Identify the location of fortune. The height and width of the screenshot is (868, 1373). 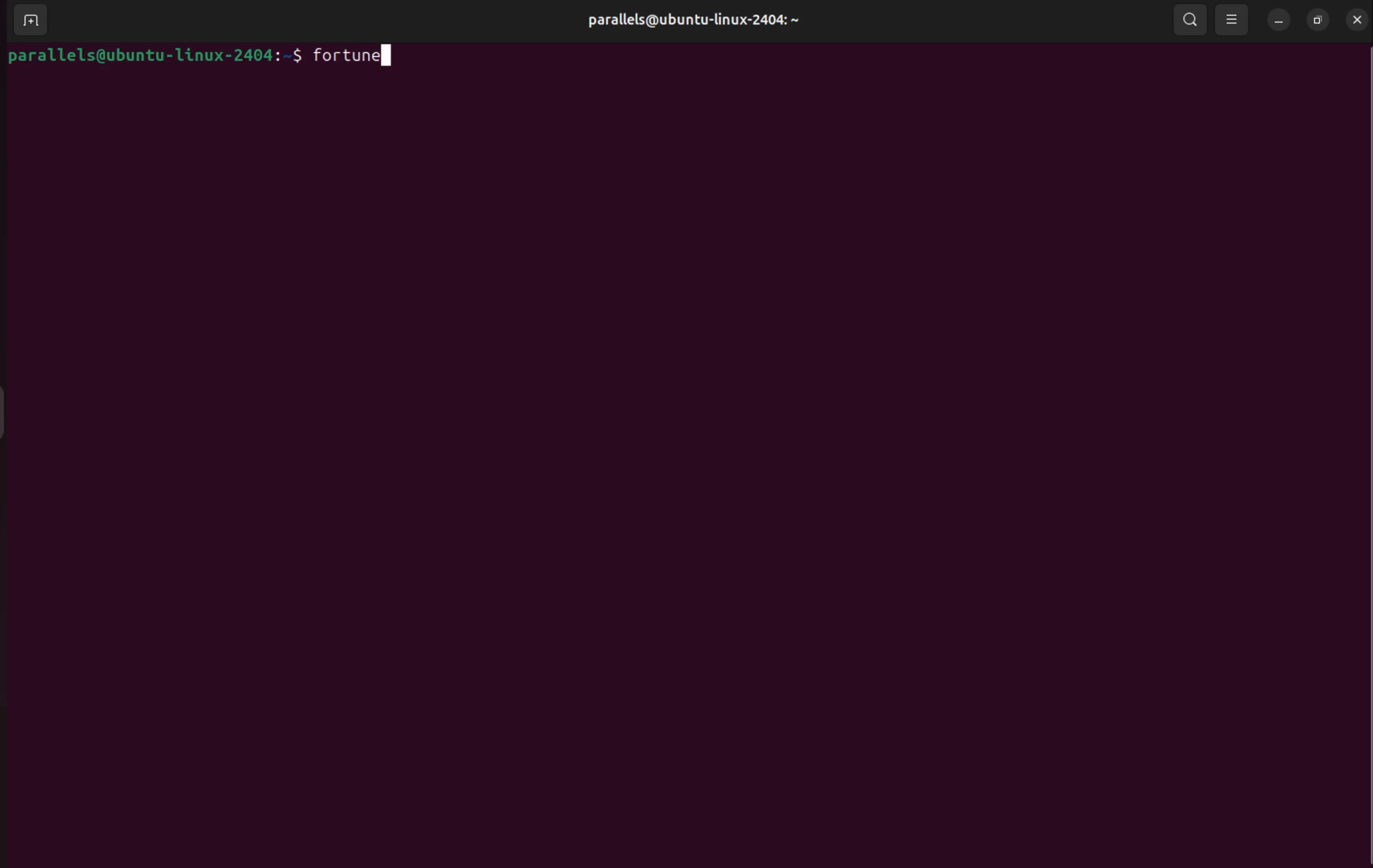
(360, 56).